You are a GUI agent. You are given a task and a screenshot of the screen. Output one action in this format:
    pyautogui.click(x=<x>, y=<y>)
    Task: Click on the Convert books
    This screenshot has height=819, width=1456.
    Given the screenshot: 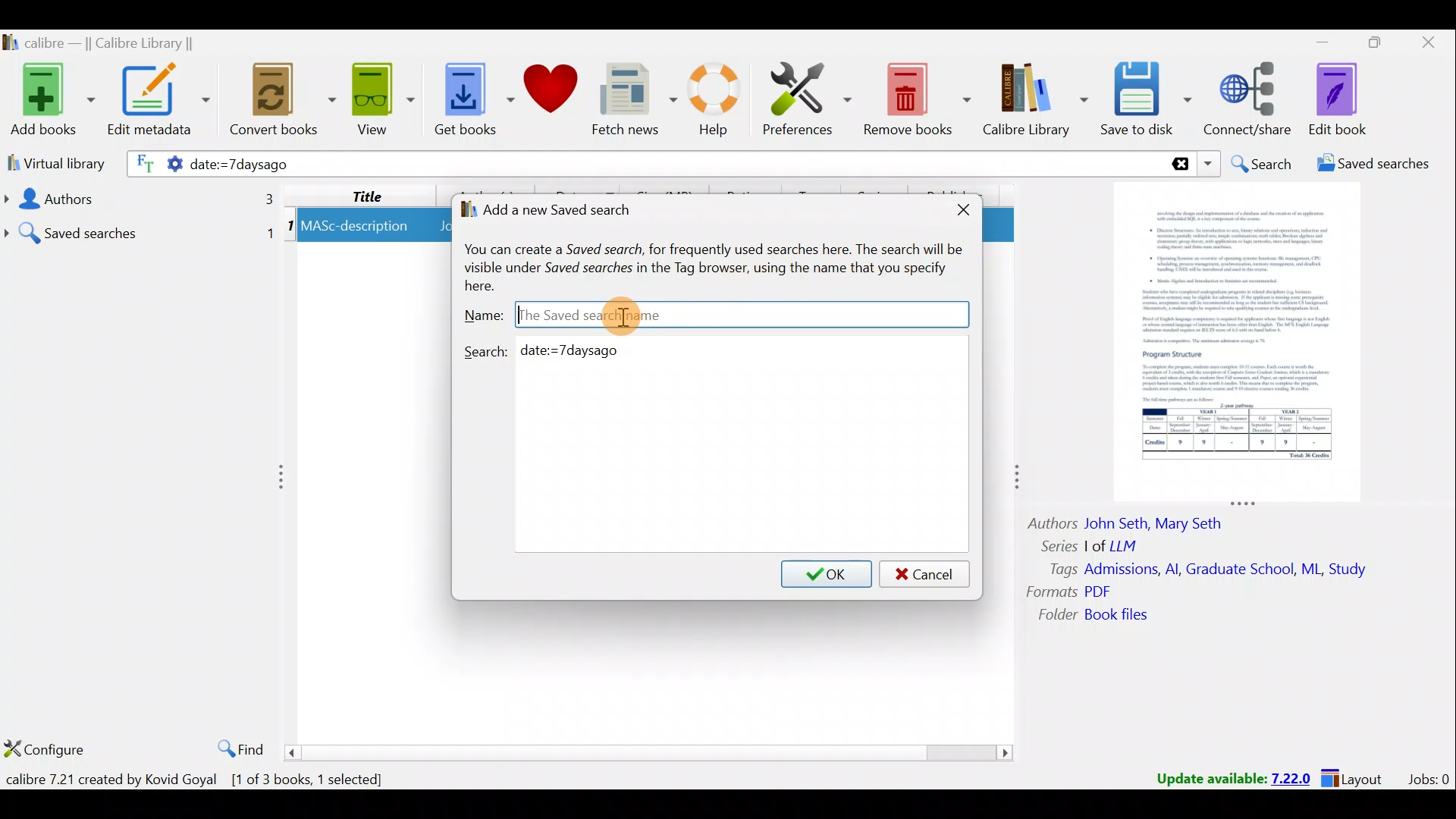 What is the action you would take?
    pyautogui.click(x=284, y=104)
    